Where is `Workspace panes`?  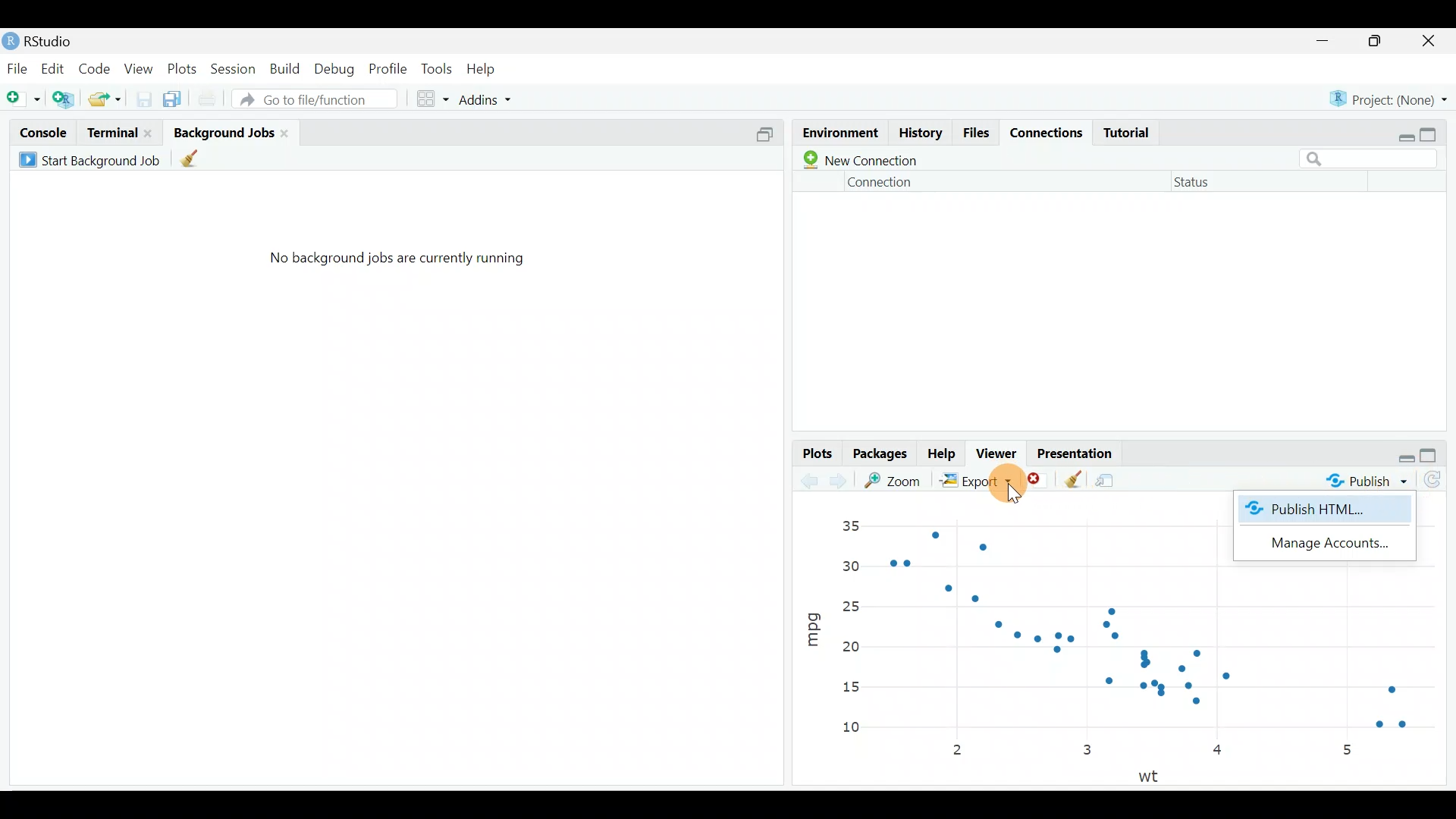
Workspace panes is located at coordinates (434, 97).